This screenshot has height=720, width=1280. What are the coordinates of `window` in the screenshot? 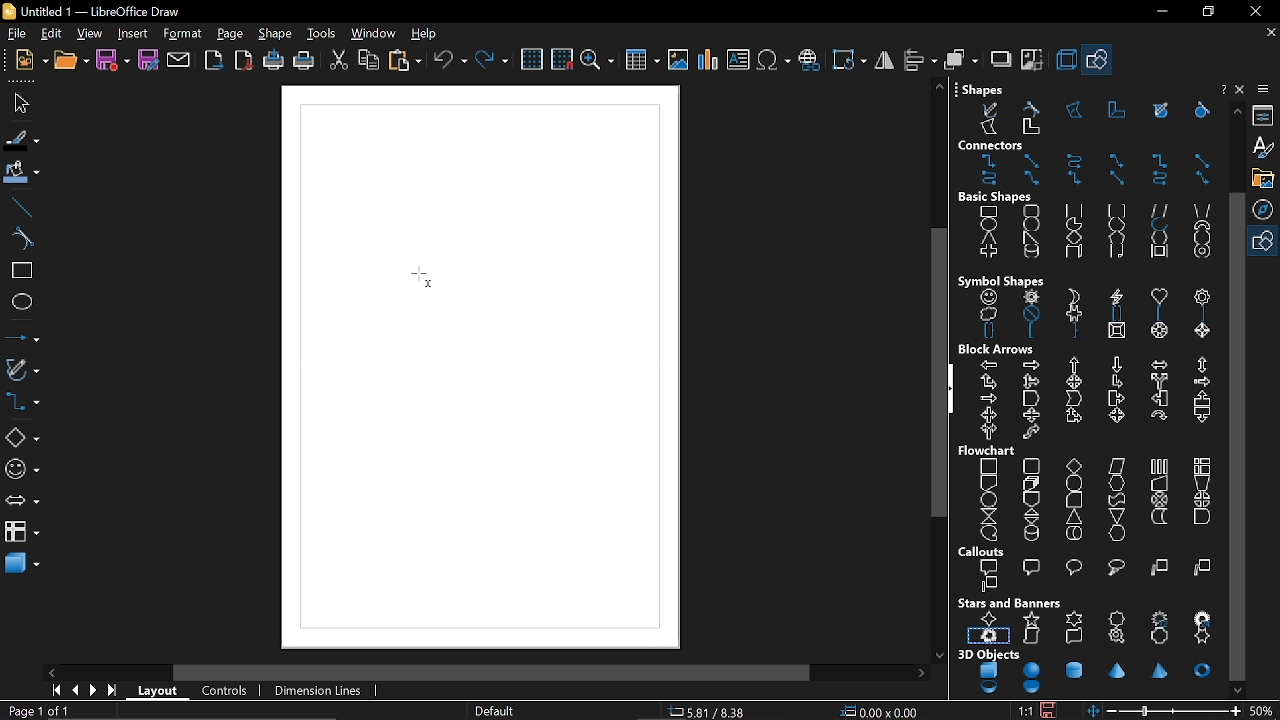 It's located at (374, 34).